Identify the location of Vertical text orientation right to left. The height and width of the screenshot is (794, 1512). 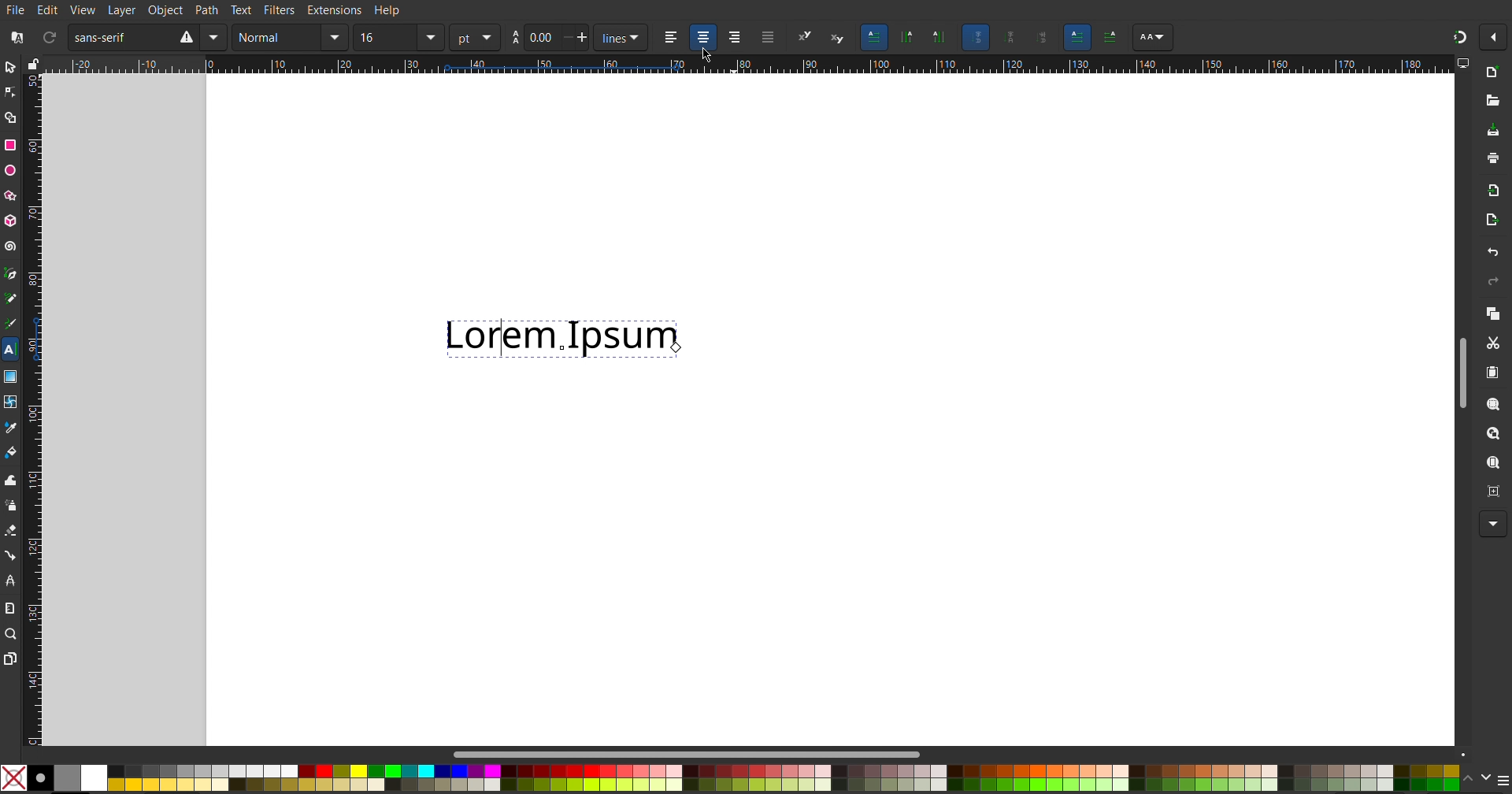
(908, 38).